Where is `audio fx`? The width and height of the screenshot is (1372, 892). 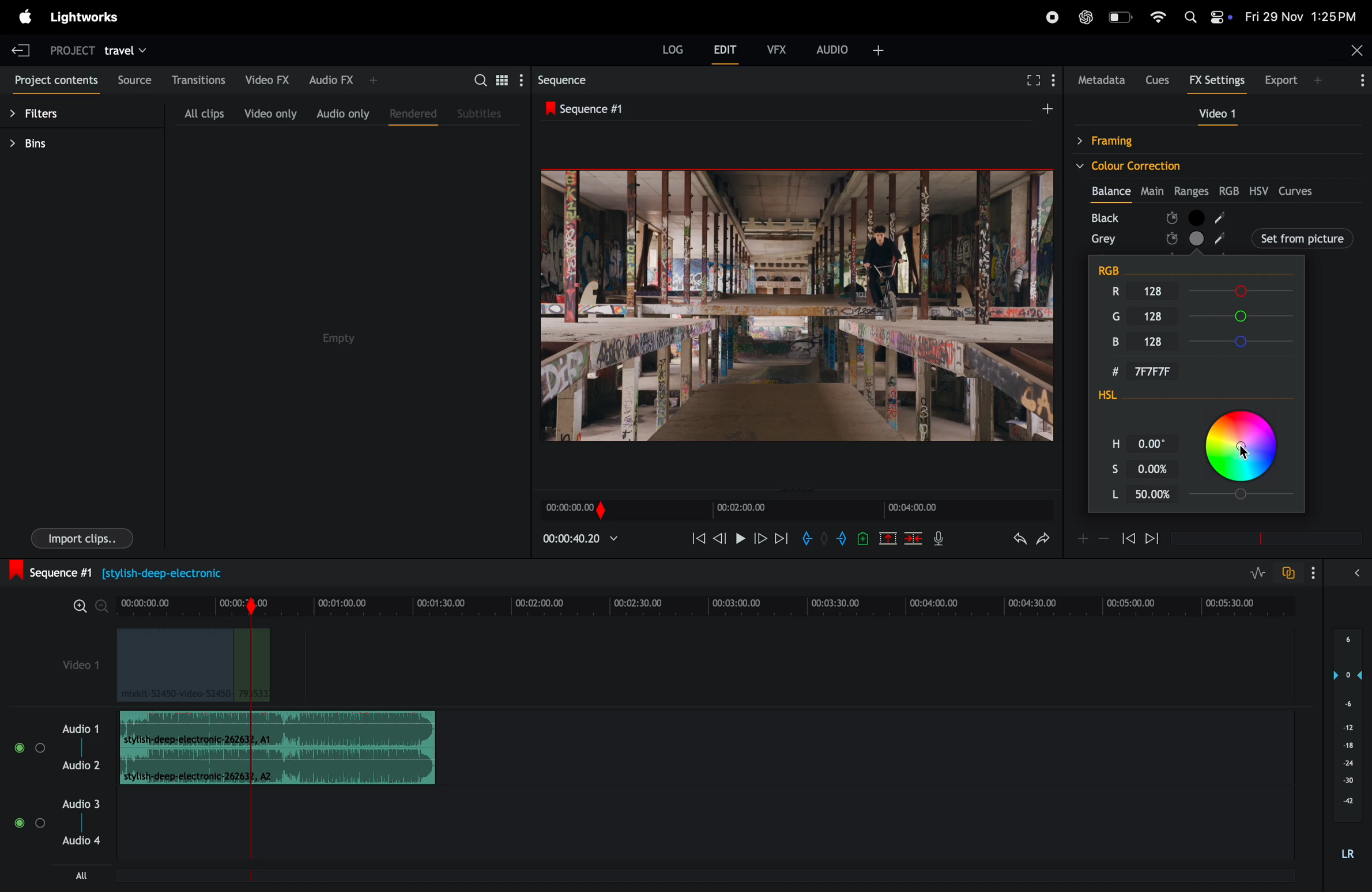
audio fx is located at coordinates (344, 80).